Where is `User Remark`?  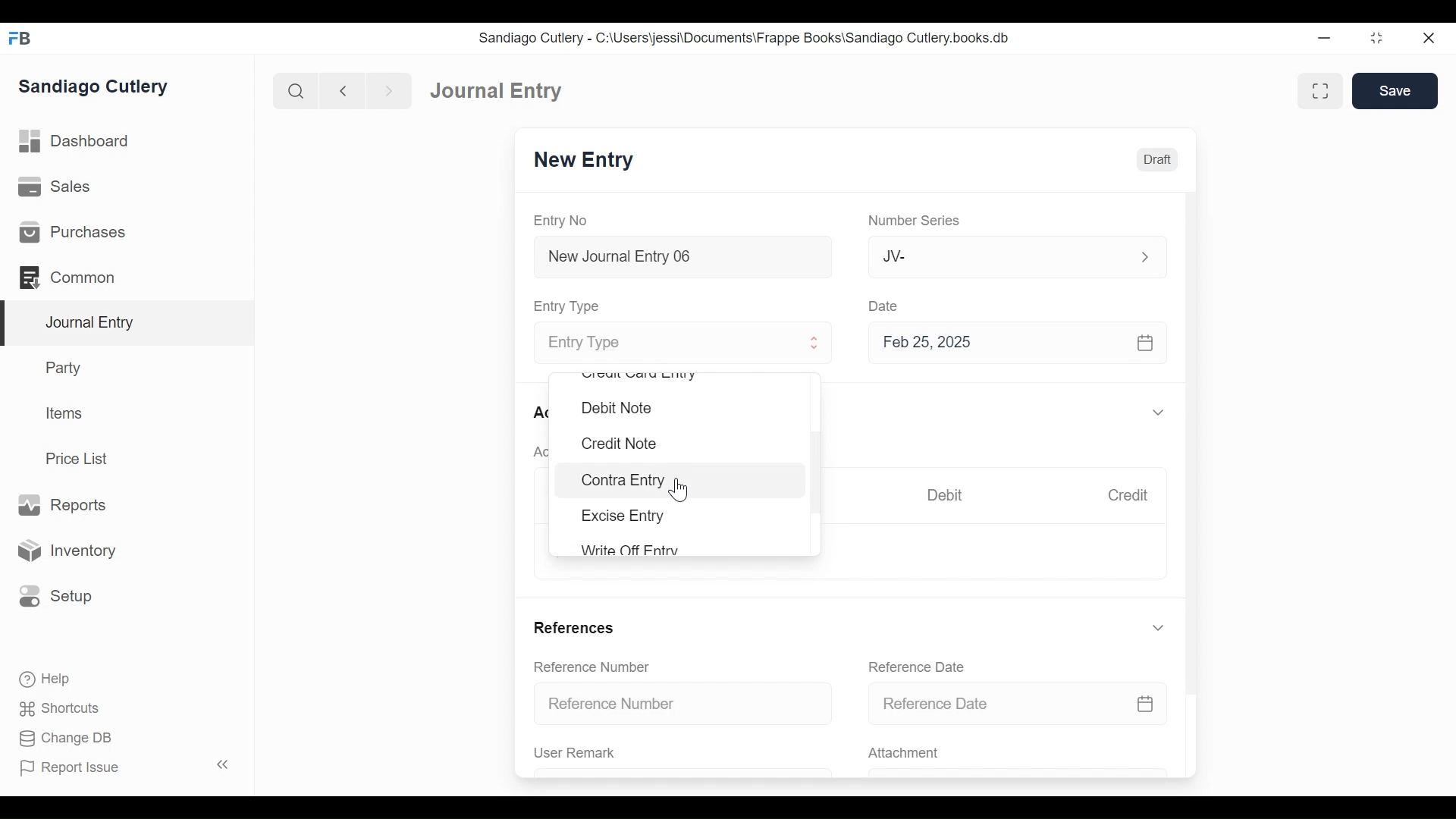
User Remark is located at coordinates (575, 752).